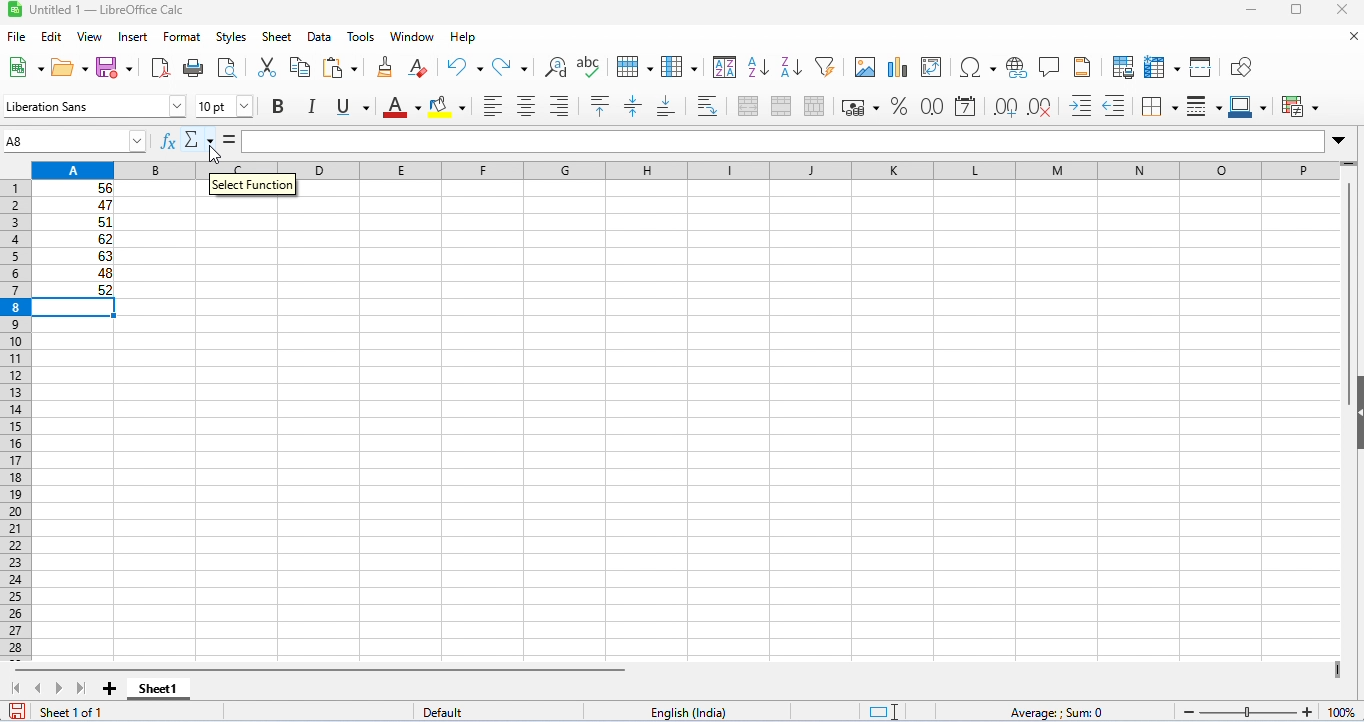 This screenshot has width=1364, height=722. What do you see at coordinates (1164, 67) in the screenshot?
I see `freeze rows and columns` at bounding box center [1164, 67].